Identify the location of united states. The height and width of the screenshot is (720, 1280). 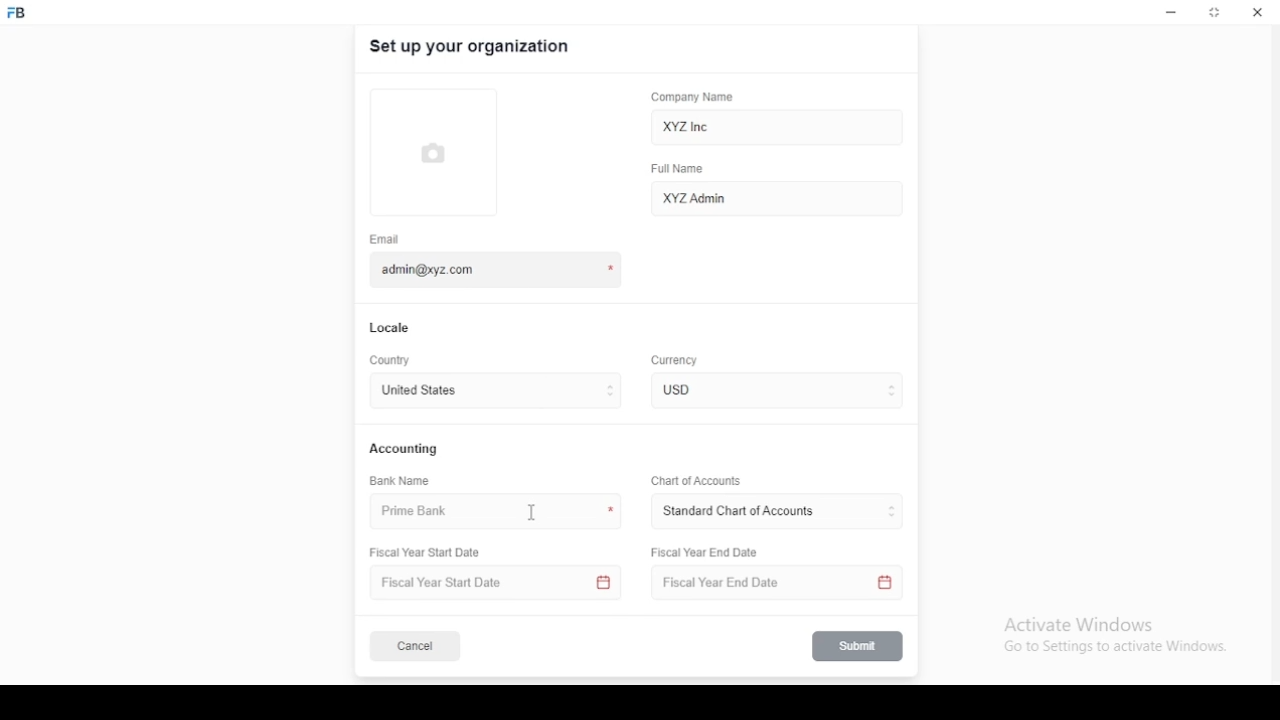
(418, 392).